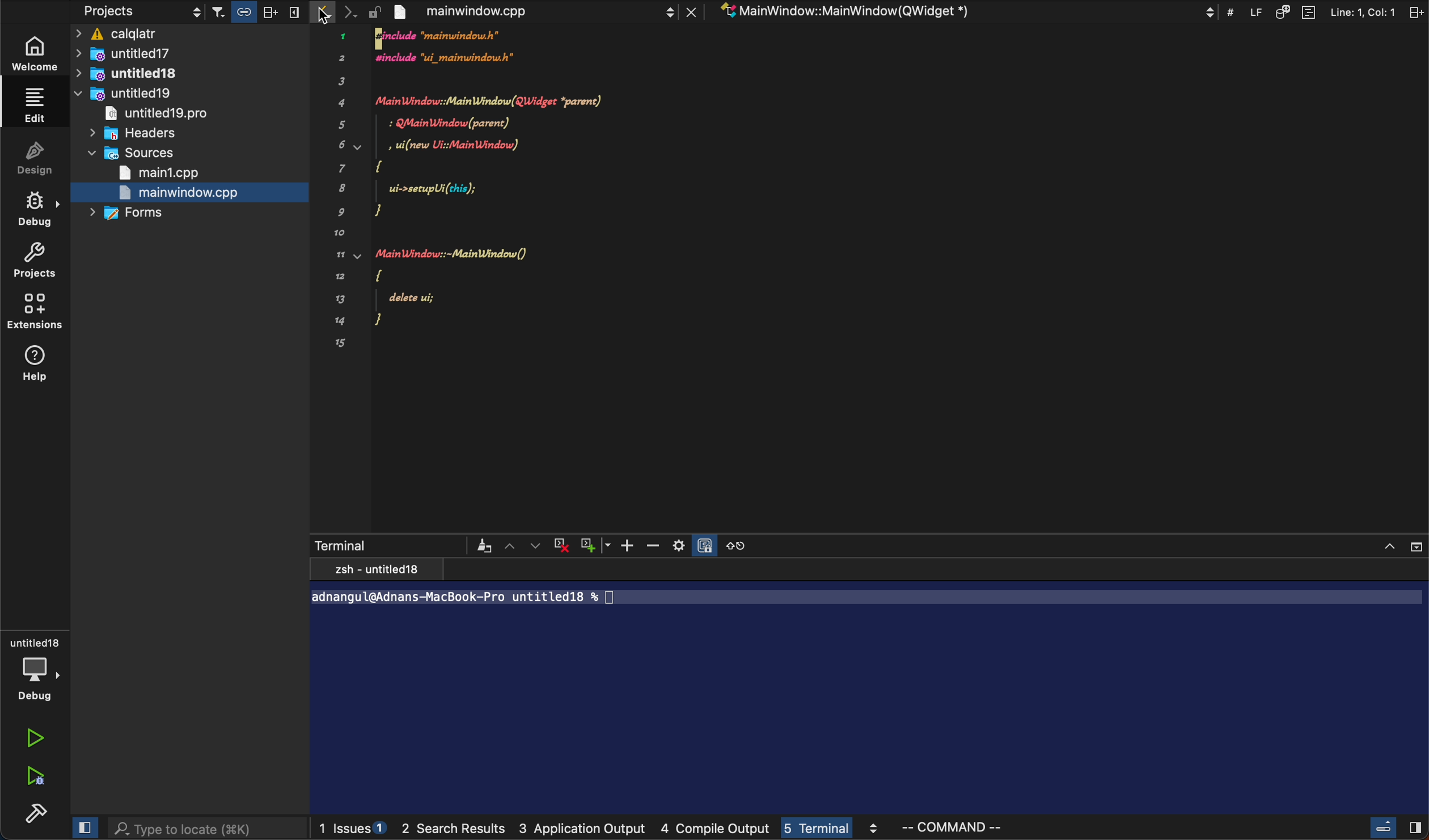 This screenshot has width=1429, height=840. Describe the element at coordinates (136, 154) in the screenshot. I see `sources` at that location.